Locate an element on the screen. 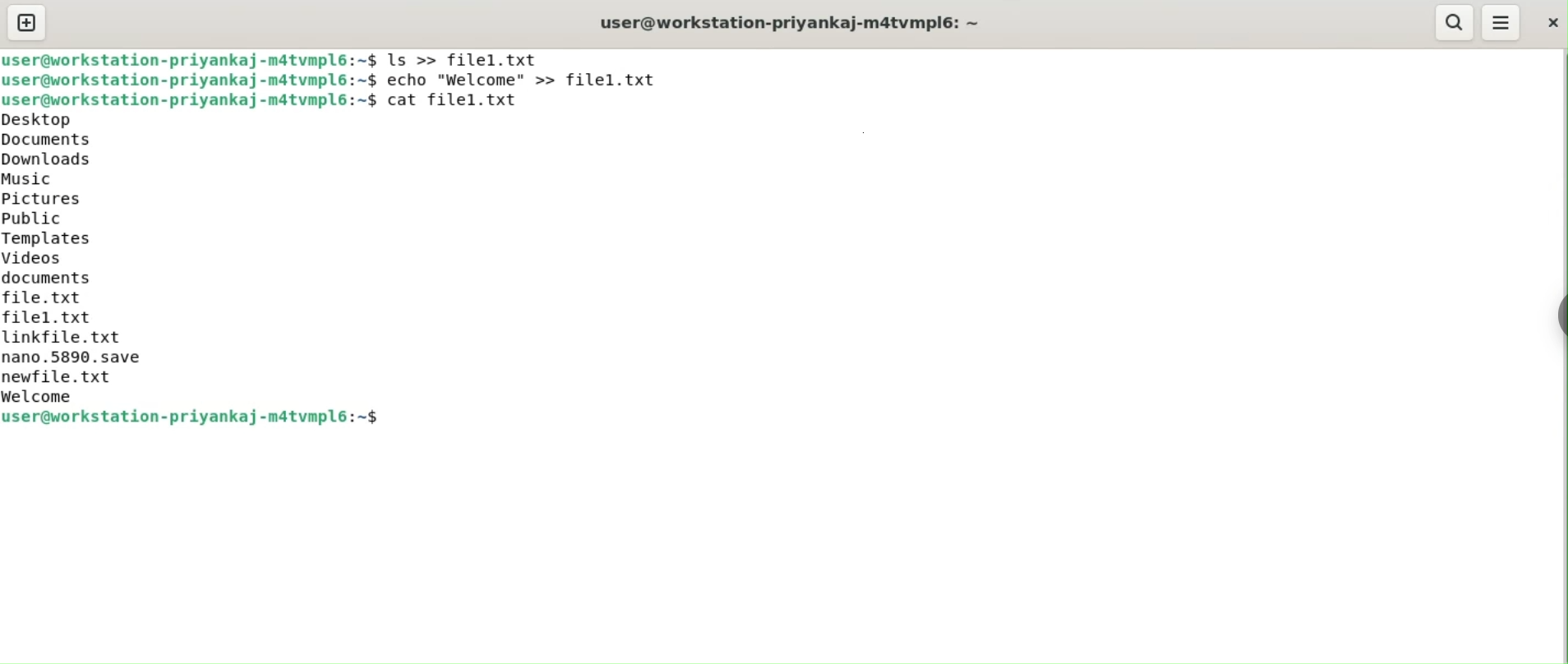 Image resolution: width=1568 pixels, height=664 pixels. echo  "Welcome"  >>  file1.txt is located at coordinates (524, 81).